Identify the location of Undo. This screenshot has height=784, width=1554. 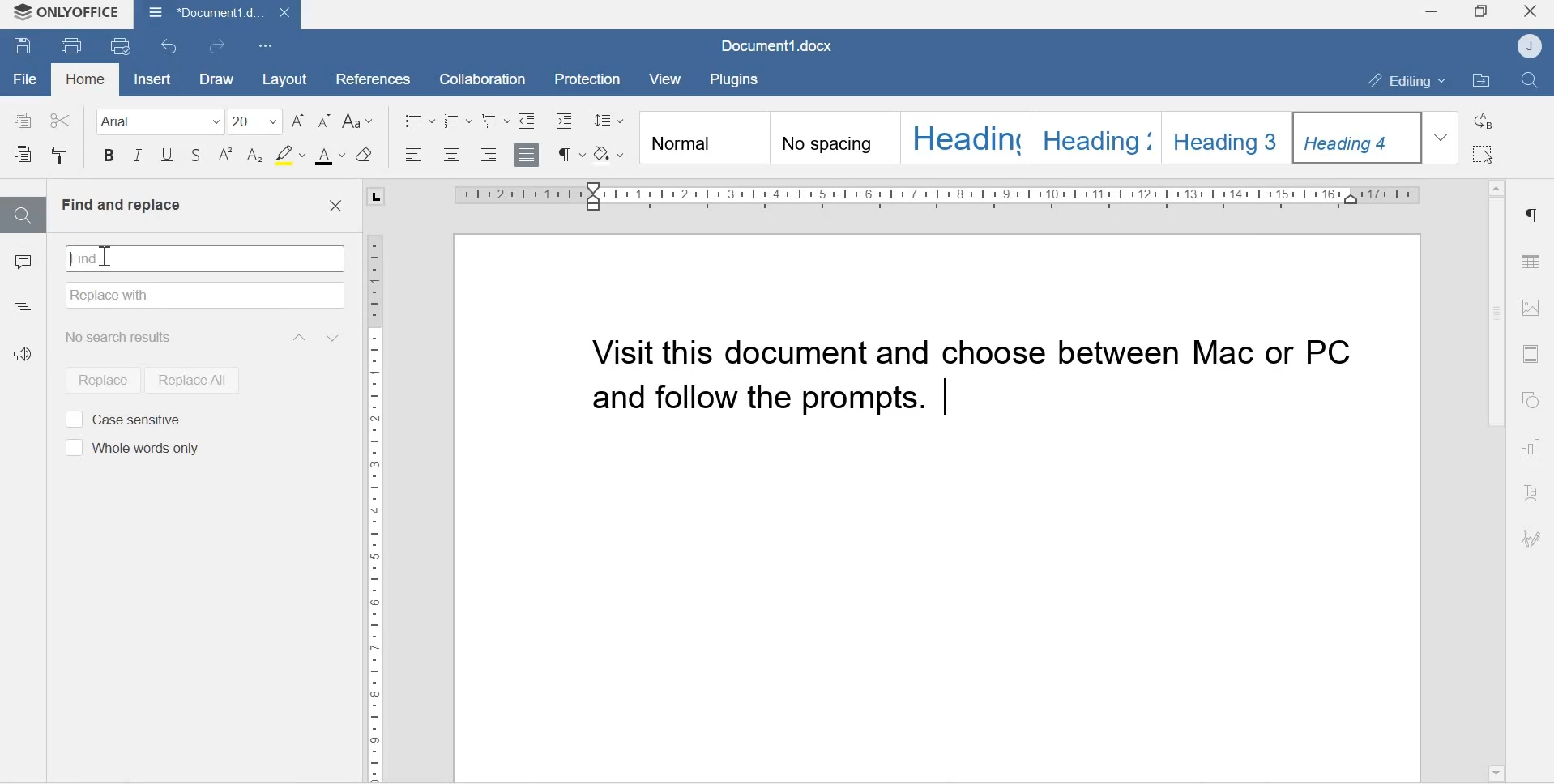
(172, 46).